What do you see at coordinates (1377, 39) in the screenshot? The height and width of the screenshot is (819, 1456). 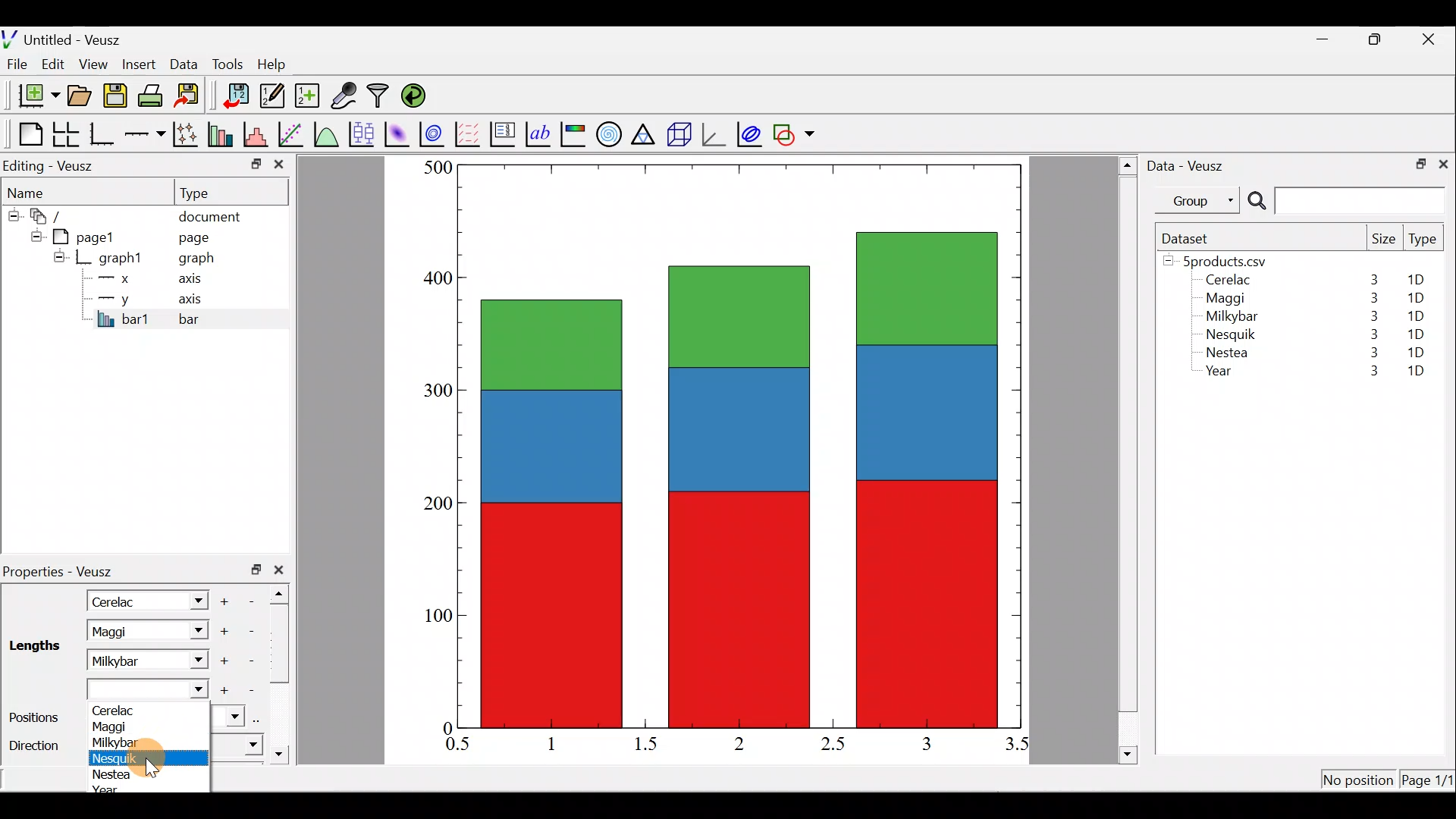 I see `restore down` at bounding box center [1377, 39].